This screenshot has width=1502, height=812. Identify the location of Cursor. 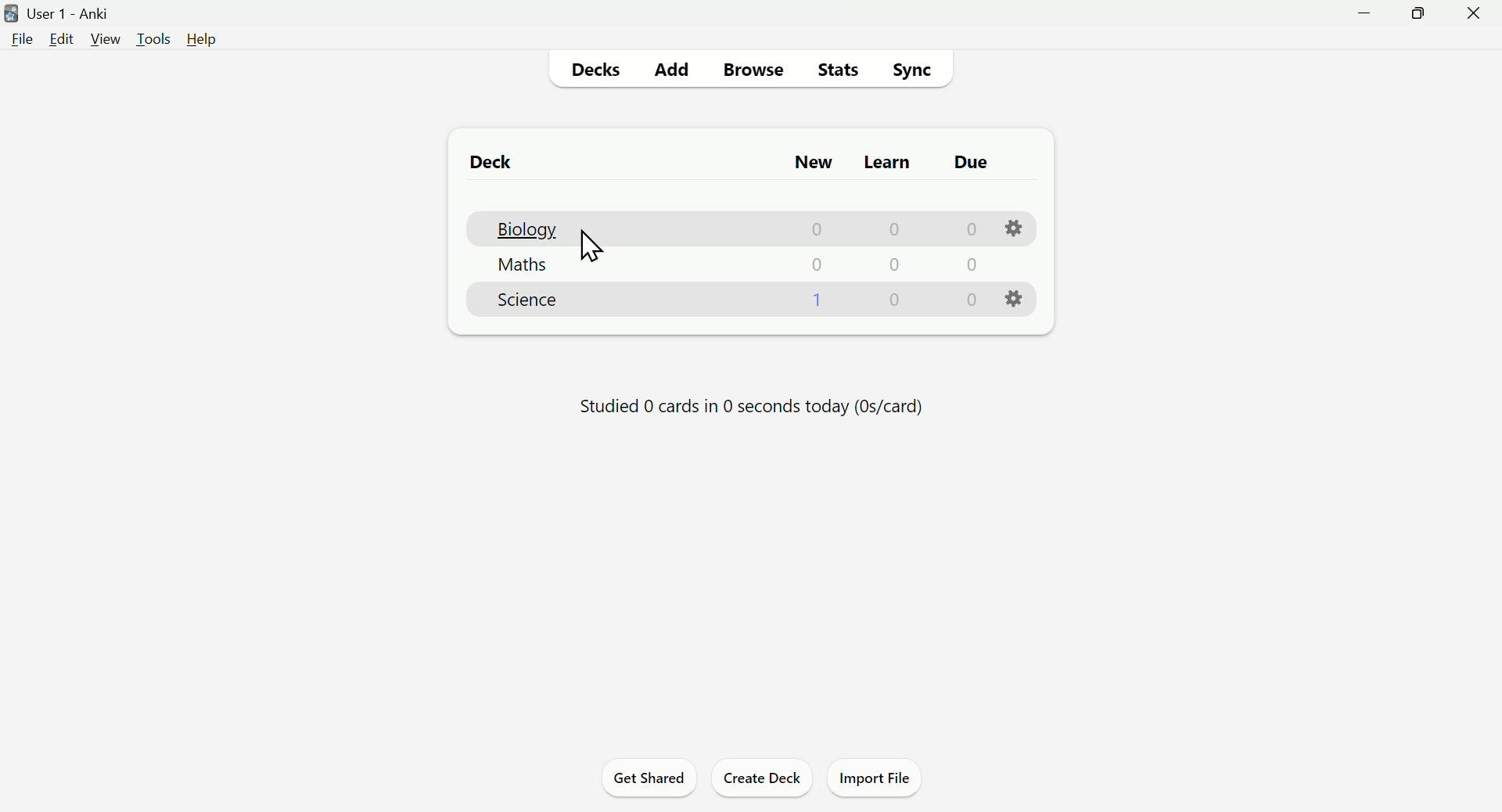
(592, 248).